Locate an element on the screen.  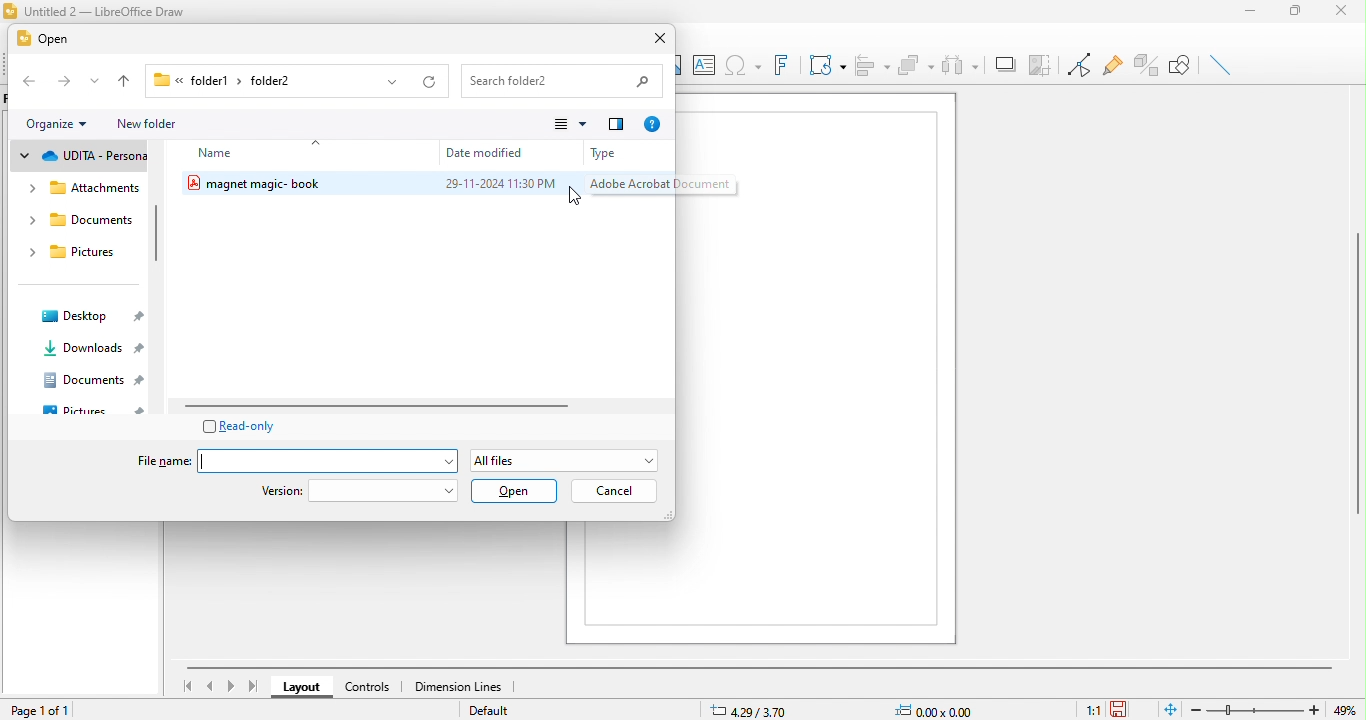
recent location is located at coordinates (96, 82).